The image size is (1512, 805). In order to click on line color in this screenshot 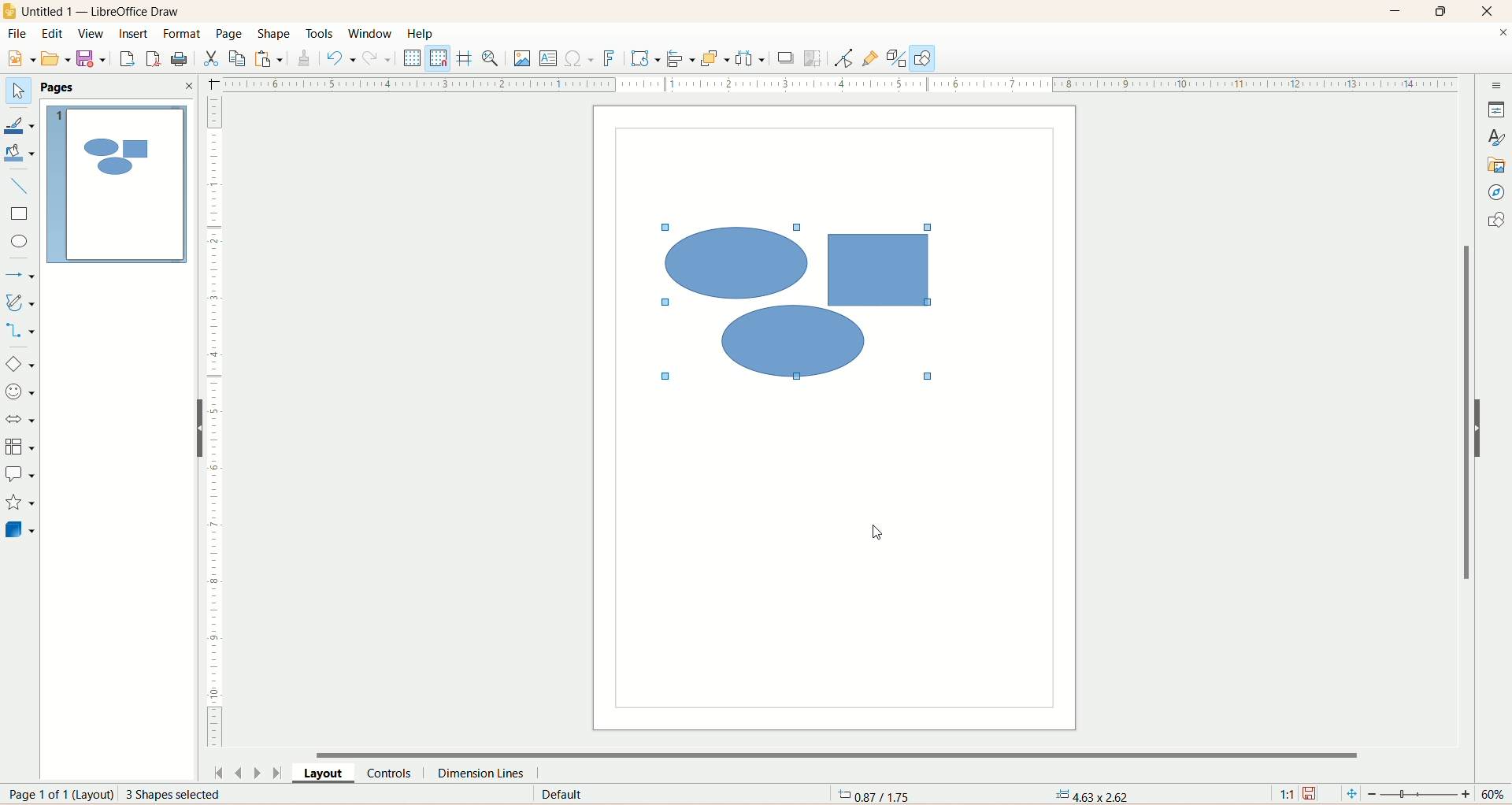, I will do `click(20, 124)`.